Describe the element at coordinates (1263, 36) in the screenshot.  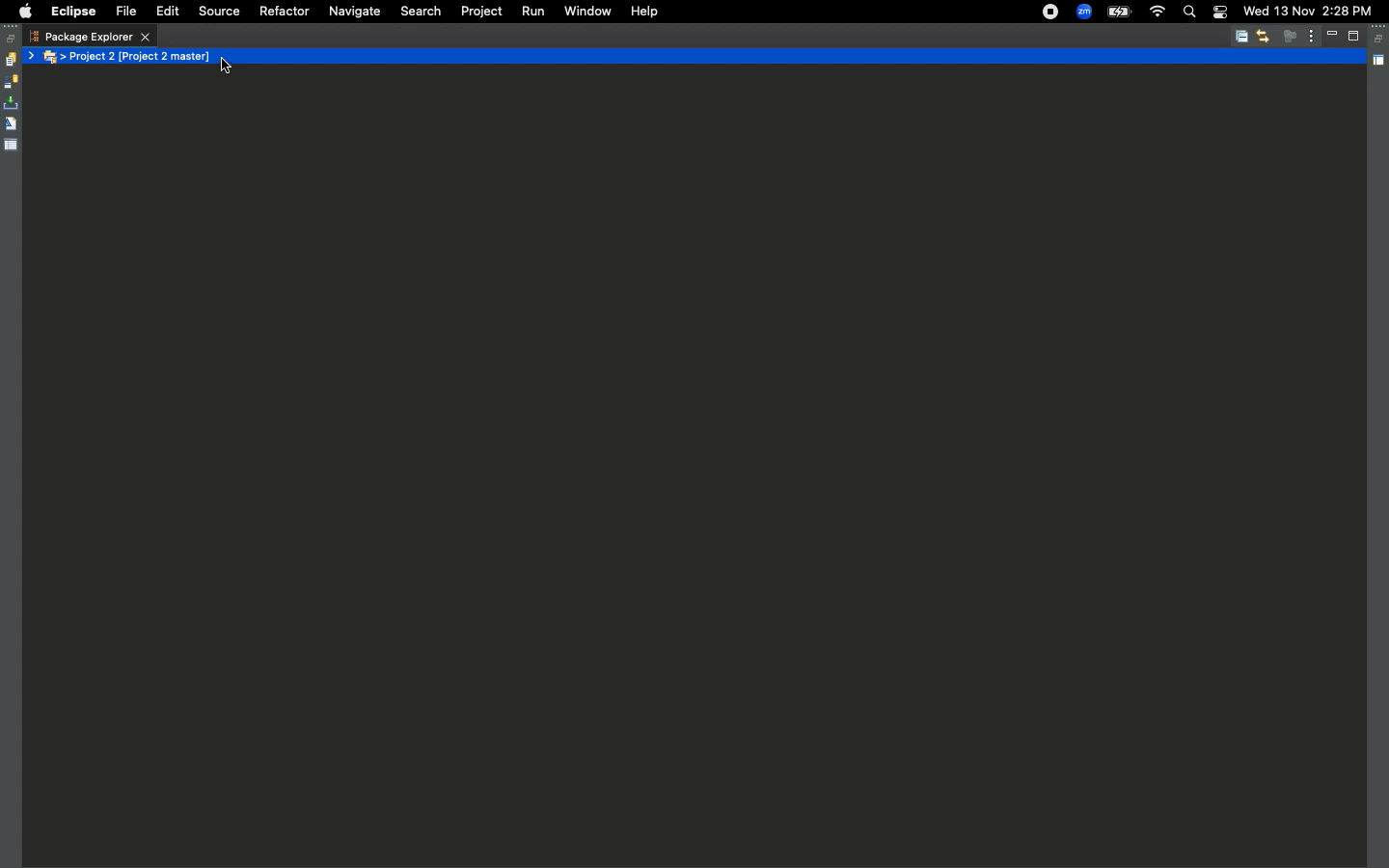
I see `Link with editor` at that location.